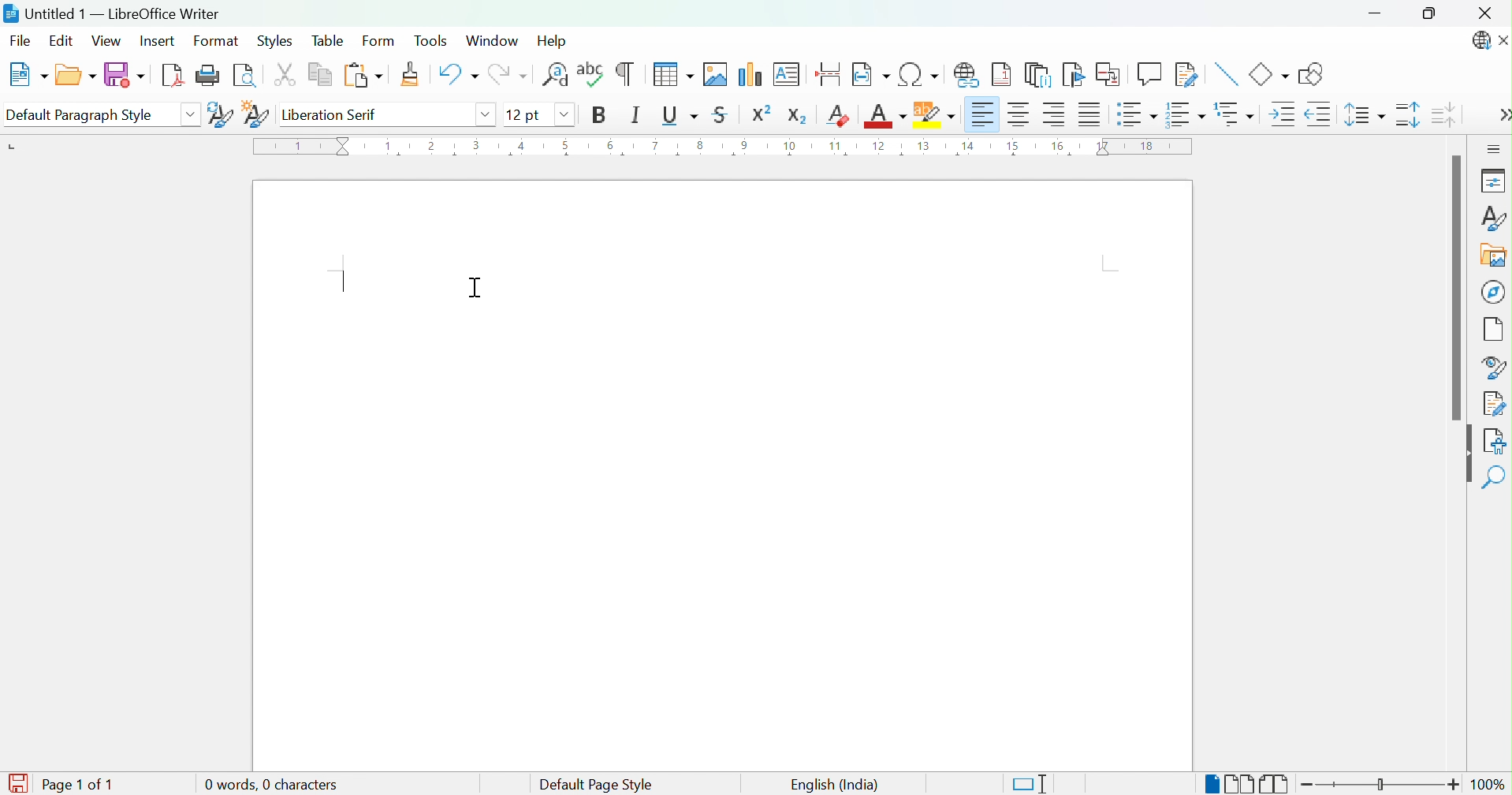  I want to click on Insert Bookmark, so click(1074, 75).